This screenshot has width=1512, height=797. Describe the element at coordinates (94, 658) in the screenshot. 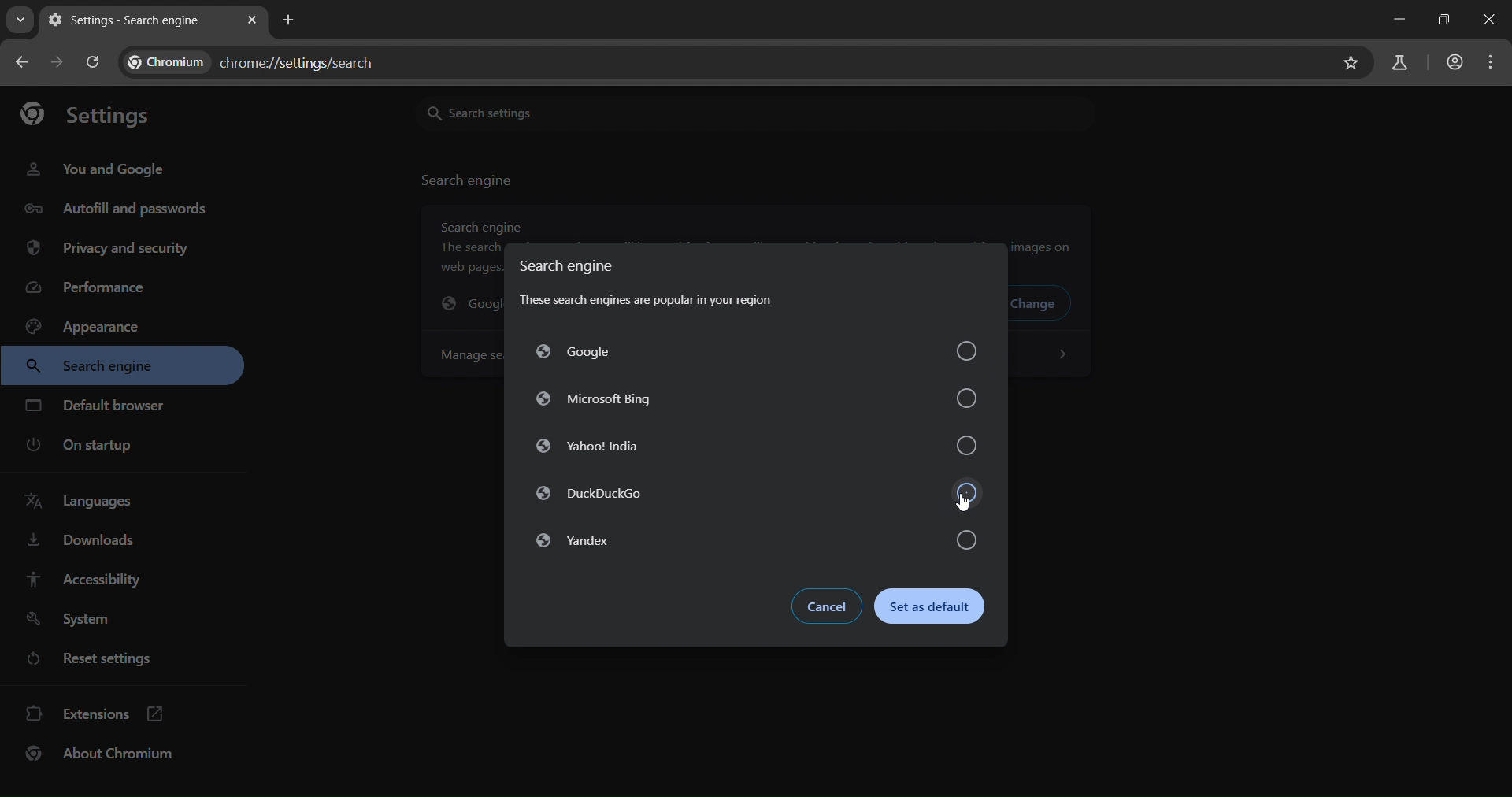

I see `reset settings` at that location.